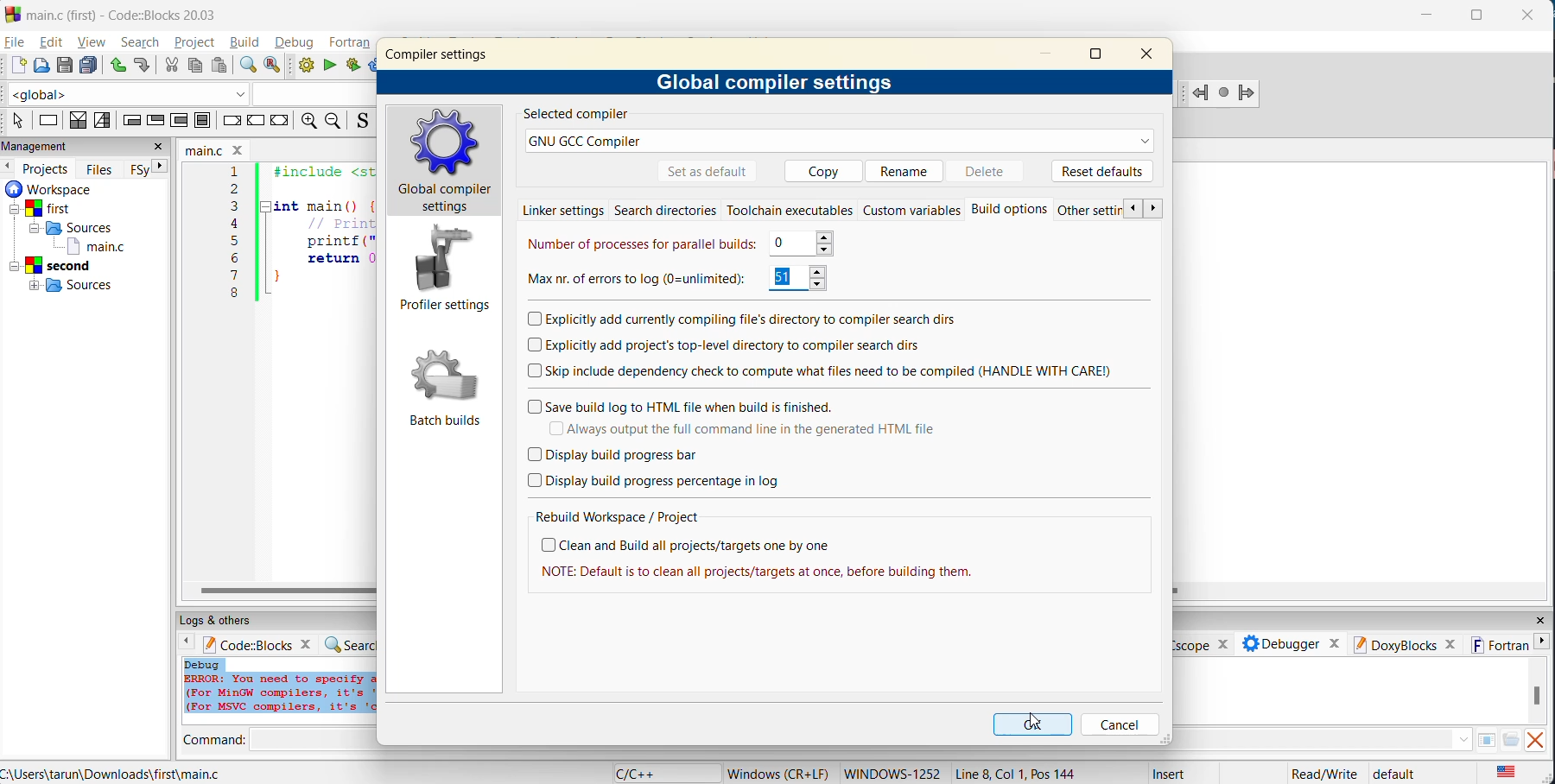 The height and width of the screenshot is (784, 1555). Describe the element at coordinates (906, 172) in the screenshot. I see `rename` at that location.